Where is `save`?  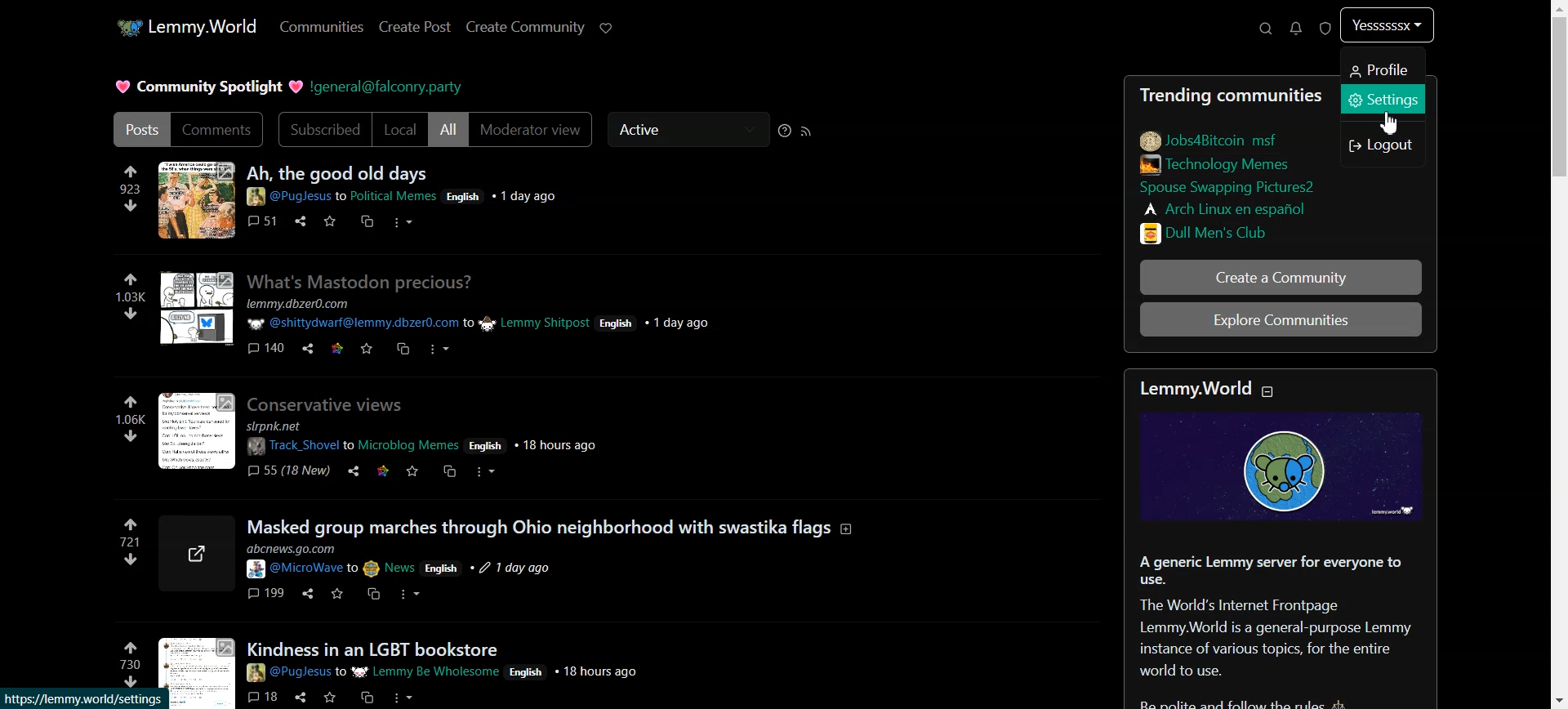 save is located at coordinates (413, 470).